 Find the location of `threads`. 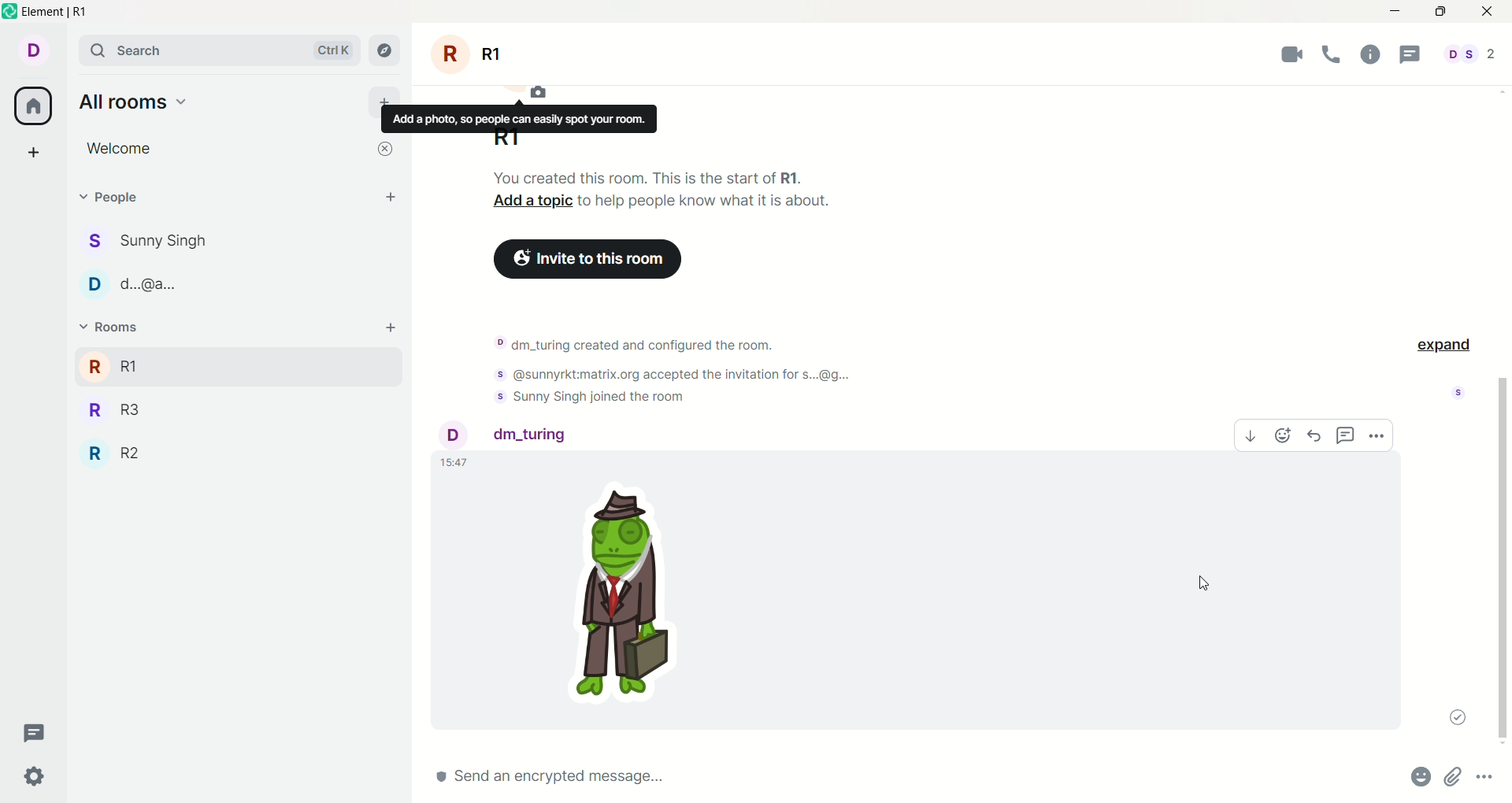

threads is located at coordinates (1410, 54).